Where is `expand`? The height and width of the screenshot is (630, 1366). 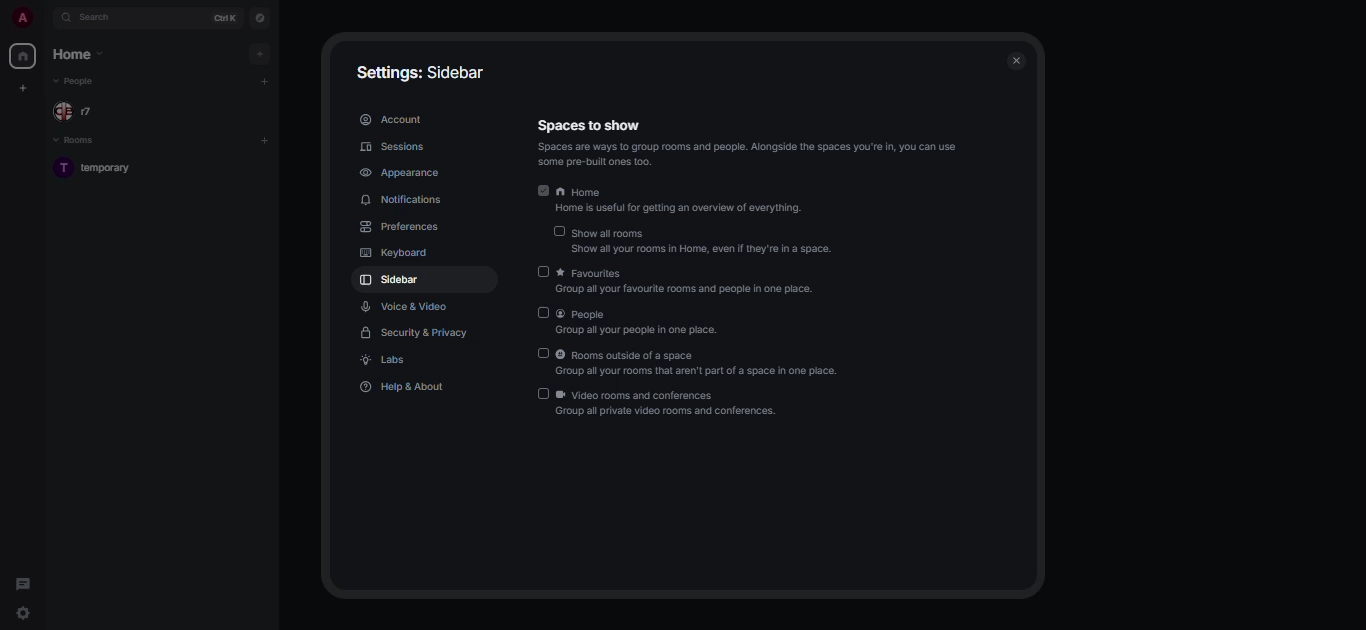
expand is located at coordinates (45, 17).